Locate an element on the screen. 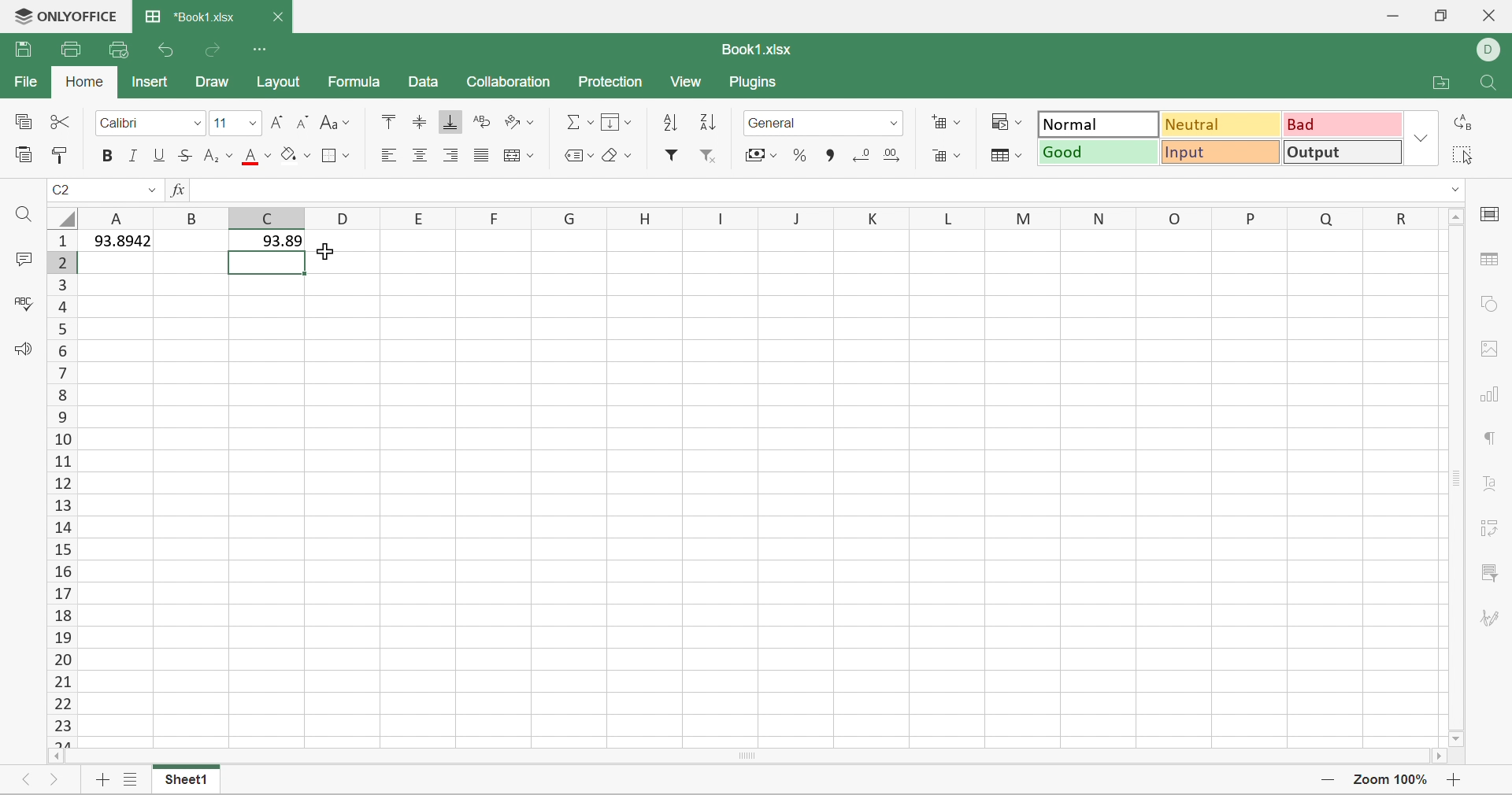 The height and width of the screenshot is (795, 1512). DELL is located at coordinates (1492, 48).